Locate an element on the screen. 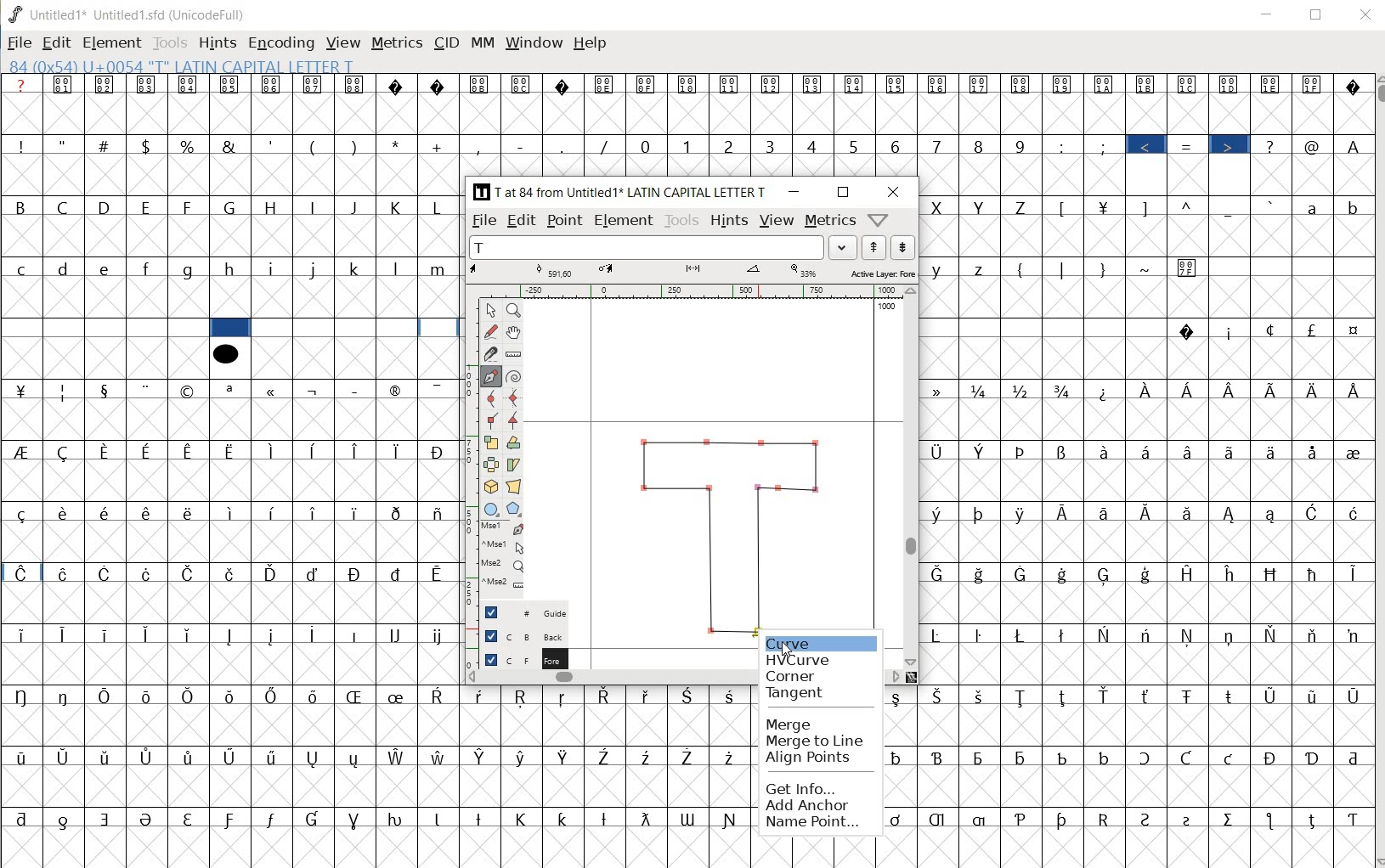 This screenshot has height=868, width=1385. ( is located at coordinates (314, 145).